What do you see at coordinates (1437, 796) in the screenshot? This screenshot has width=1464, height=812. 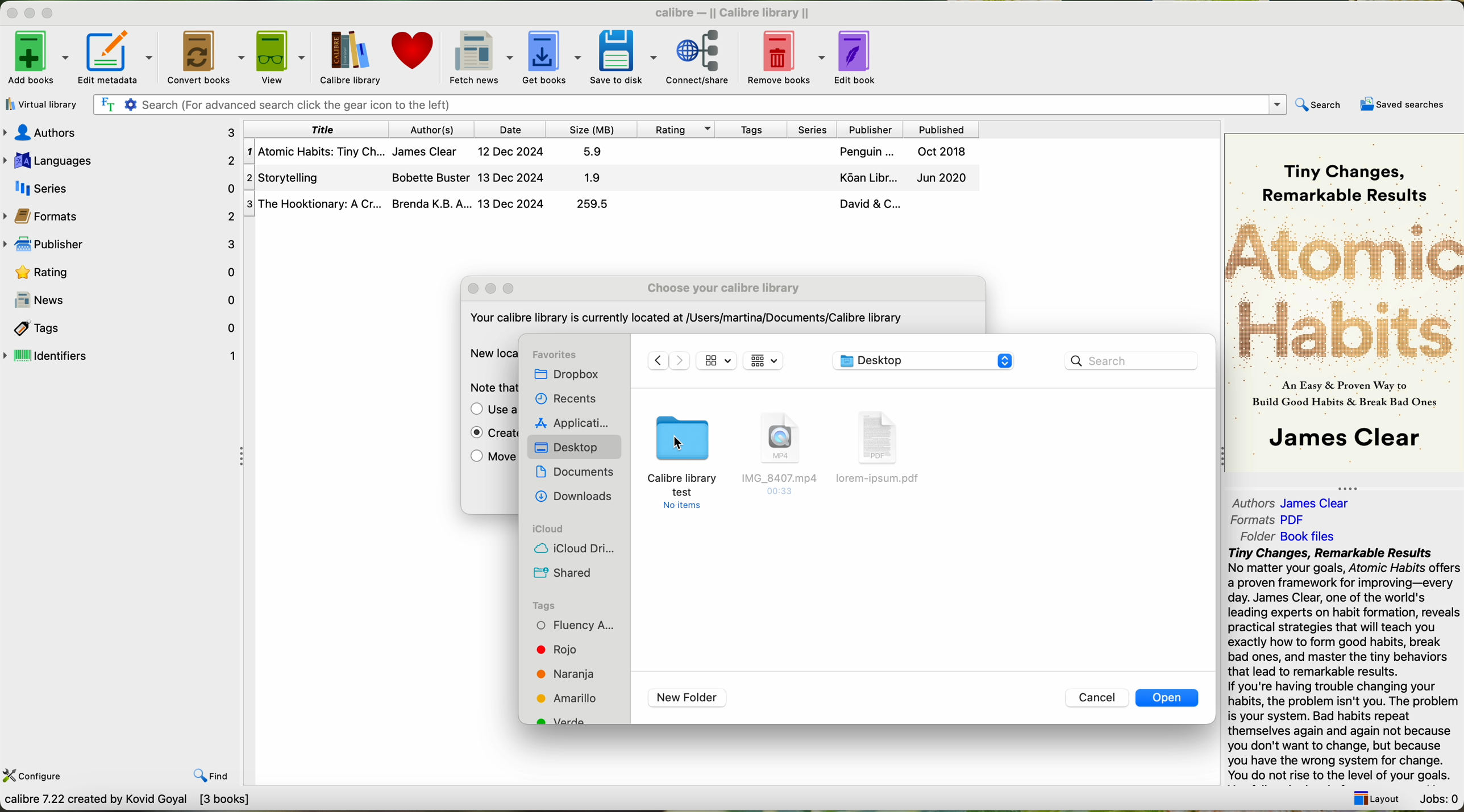 I see `Jobs: 0` at bounding box center [1437, 796].